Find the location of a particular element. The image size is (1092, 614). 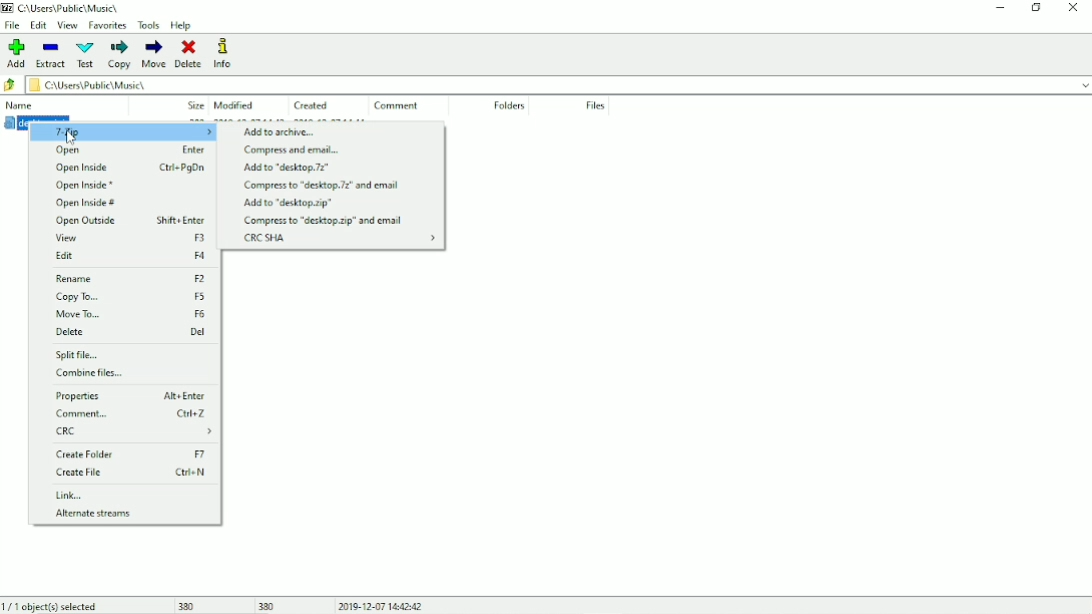

Close is located at coordinates (1075, 9).